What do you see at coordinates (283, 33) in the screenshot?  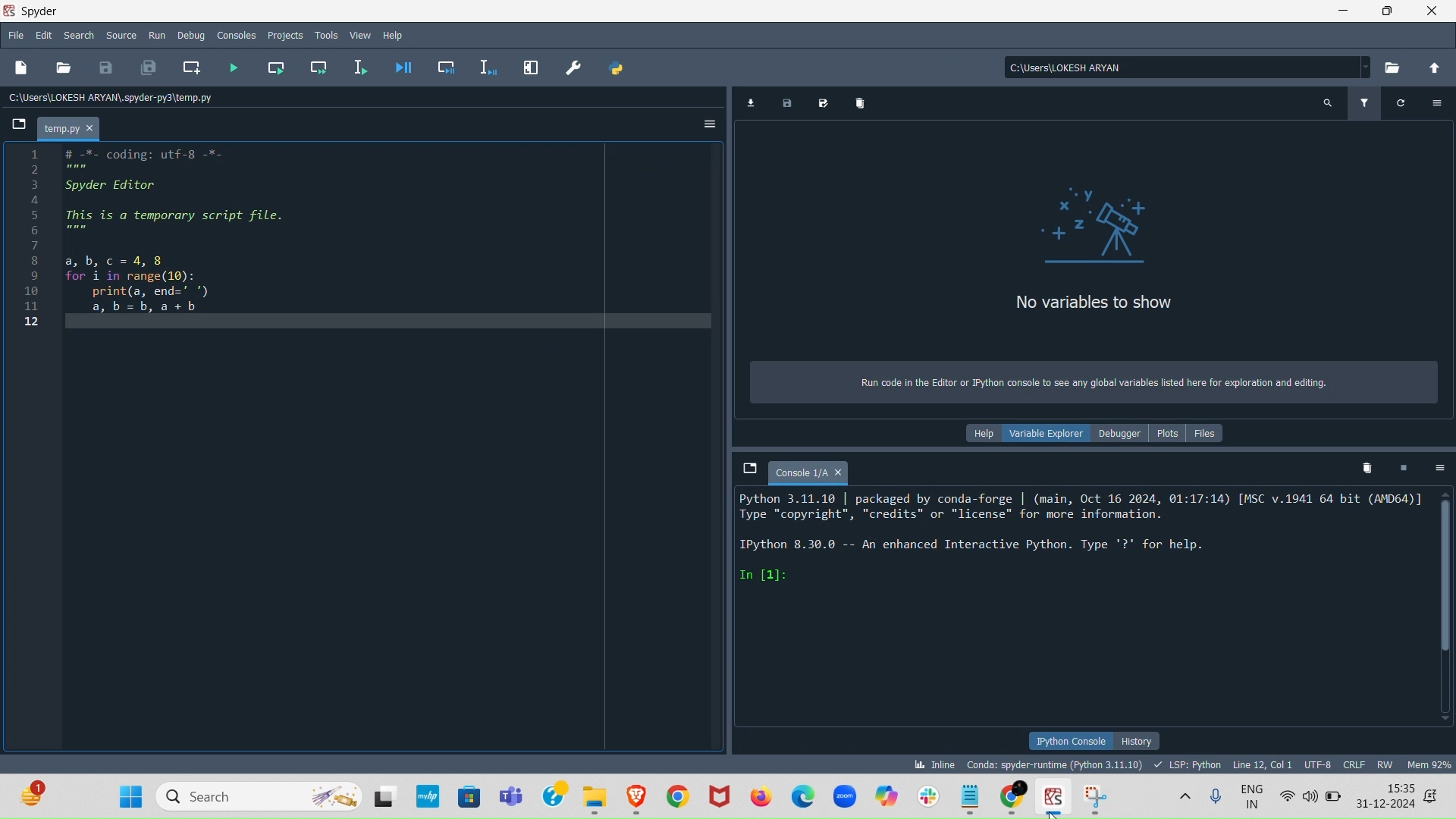 I see `Projects` at bounding box center [283, 33].